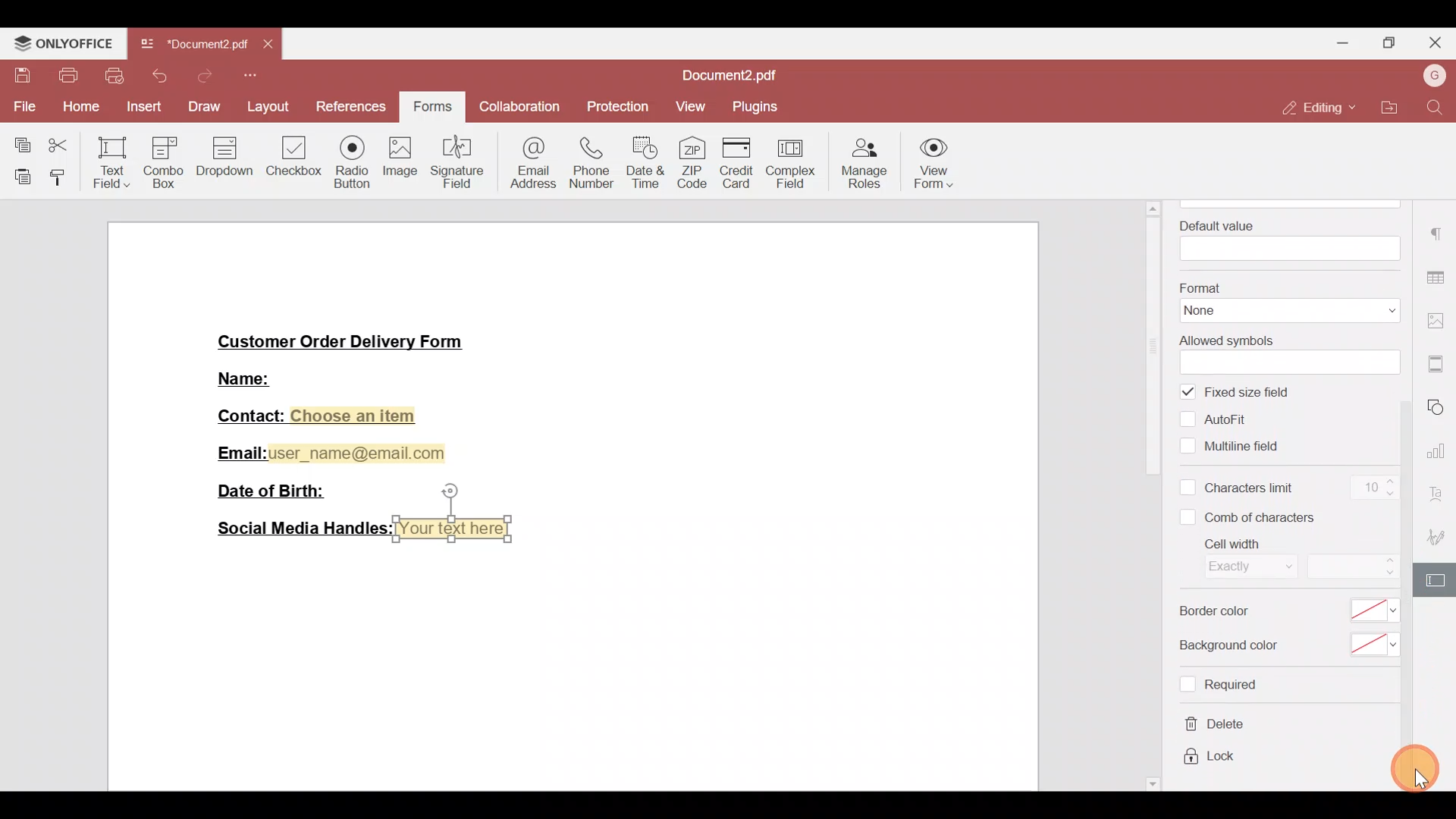 Image resolution: width=1456 pixels, height=819 pixels. What do you see at coordinates (1156, 494) in the screenshot?
I see `Scroll bar` at bounding box center [1156, 494].